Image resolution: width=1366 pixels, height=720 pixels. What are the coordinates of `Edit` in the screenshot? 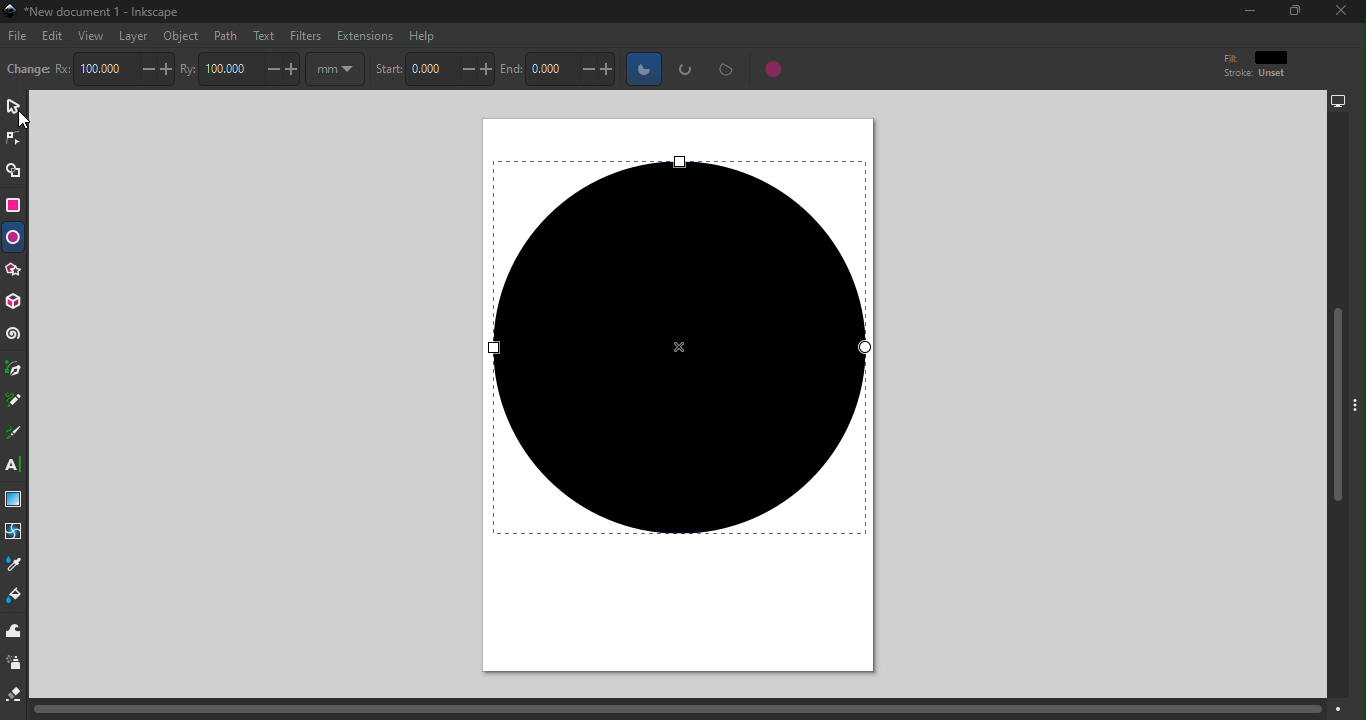 It's located at (53, 35).